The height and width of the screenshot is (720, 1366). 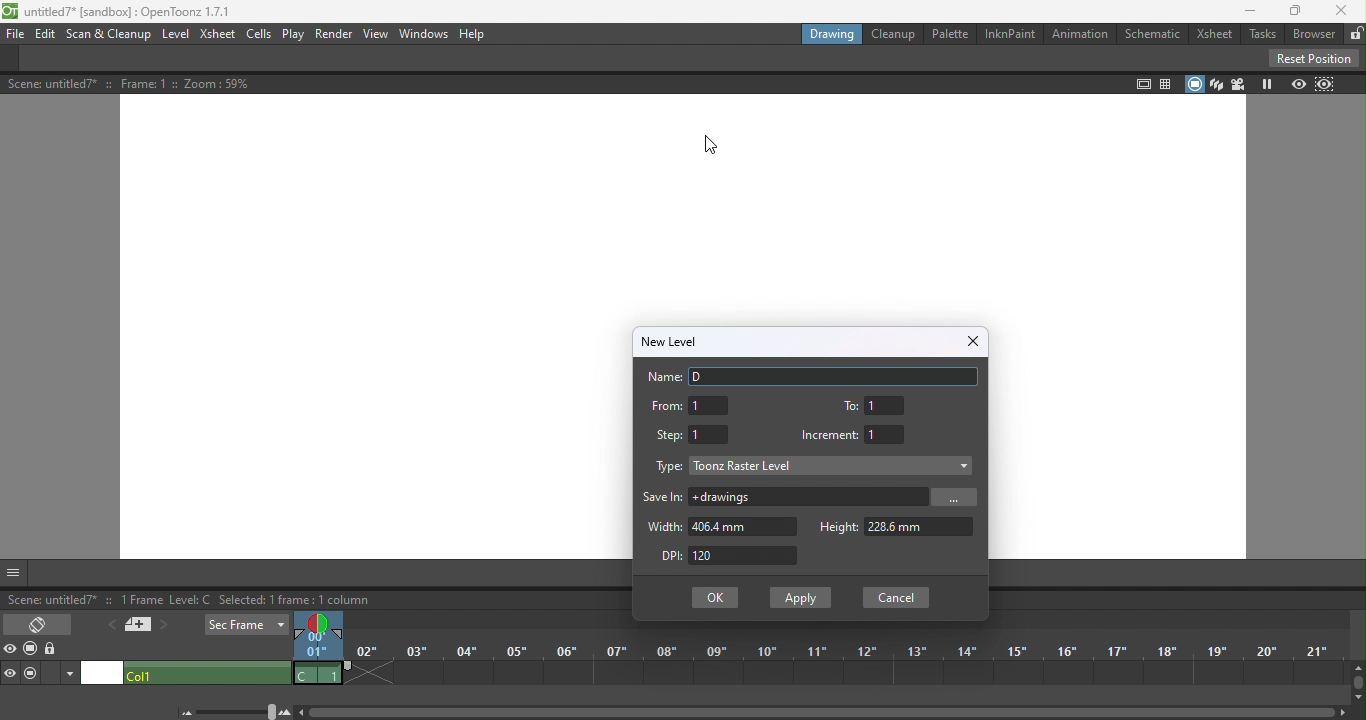 What do you see at coordinates (49, 601) in the screenshot?
I see `scene: untitled7` at bounding box center [49, 601].